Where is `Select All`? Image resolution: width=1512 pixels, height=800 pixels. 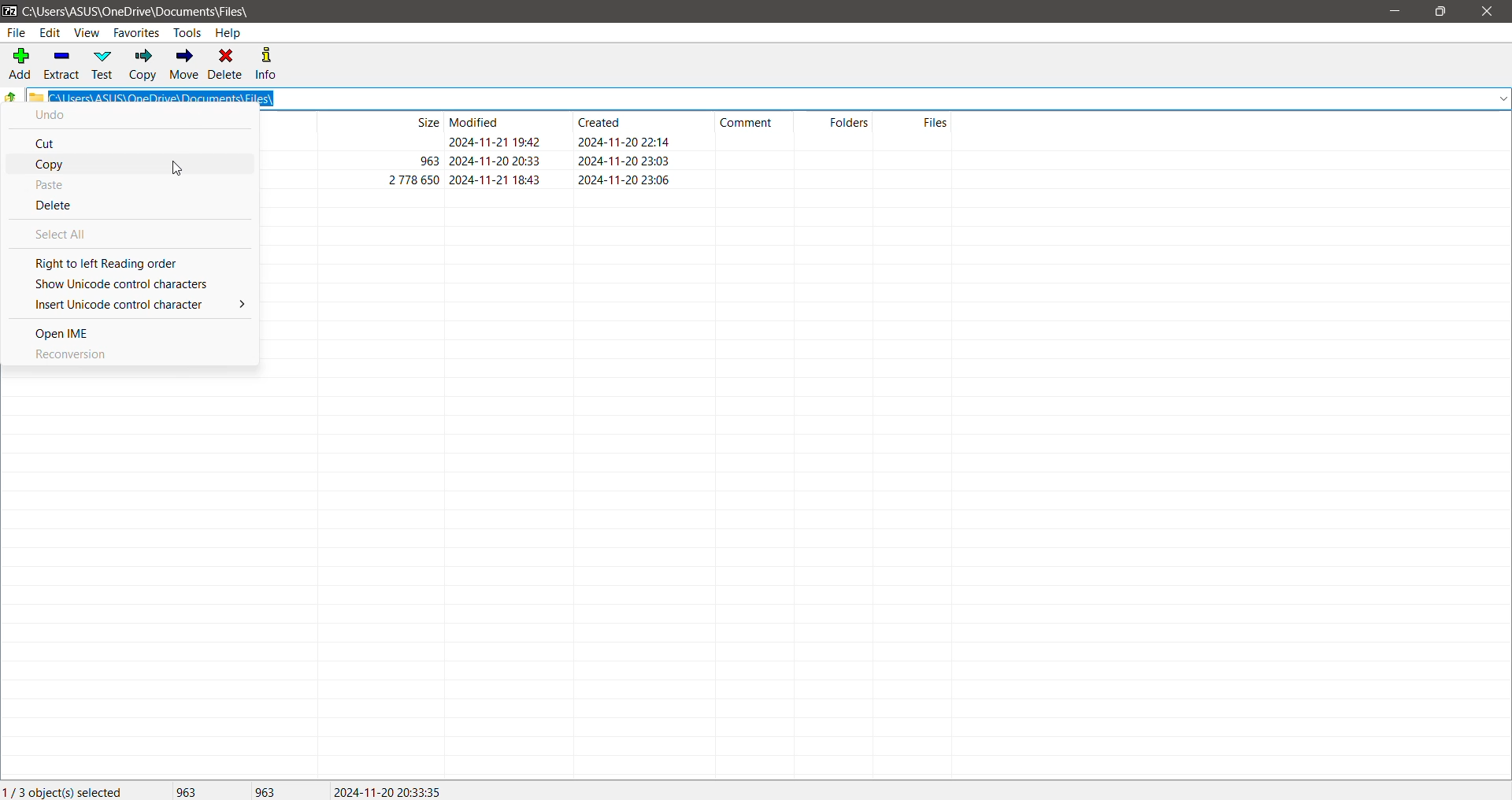
Select All is located at coordinates (71, 235).